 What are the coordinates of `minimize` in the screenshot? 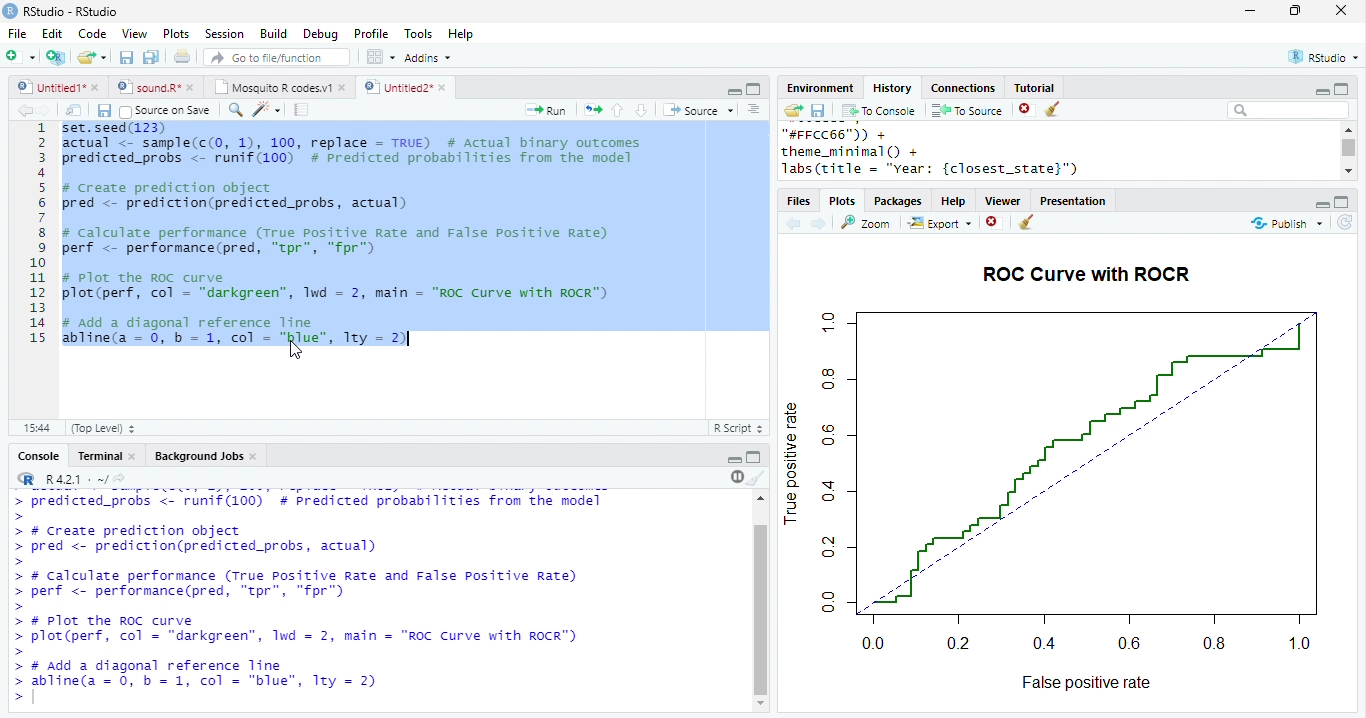 It's located at (1249, 10).